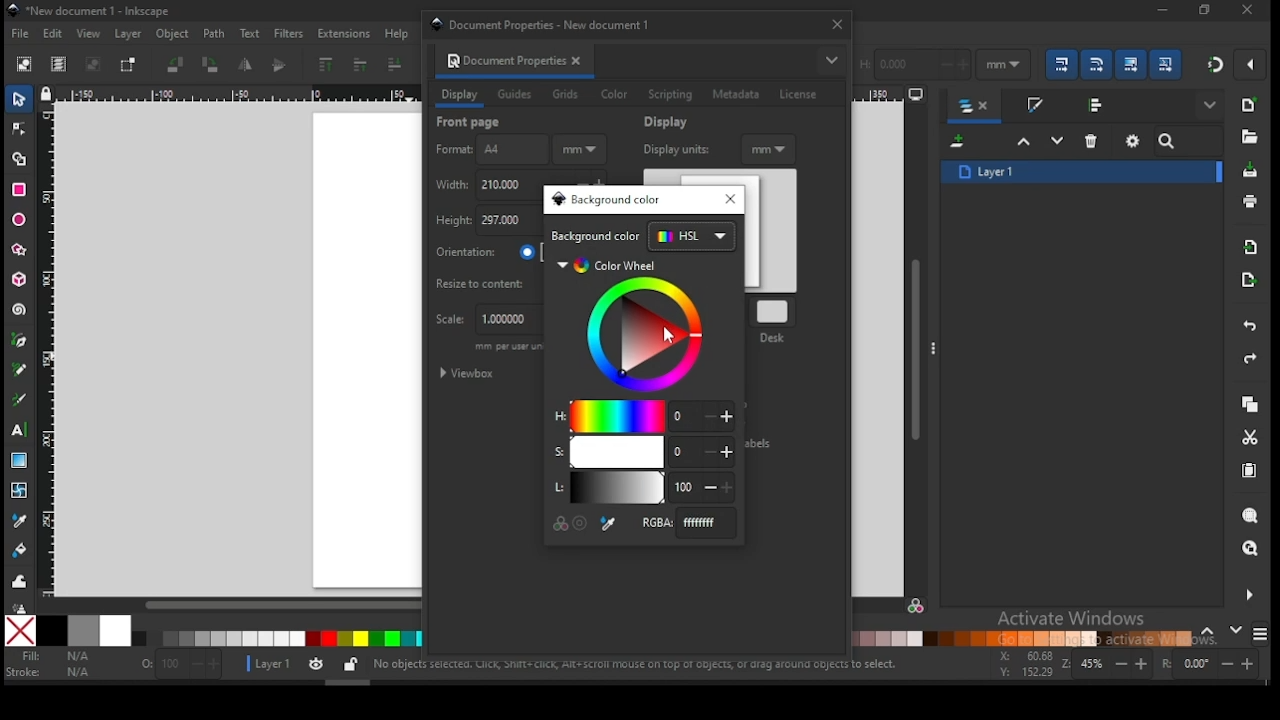 The image size is (1280, 720). What do you see at coordinates (212, 65) in the screenshot?
I see `object rotate 90` at bounding box center [212, 65].